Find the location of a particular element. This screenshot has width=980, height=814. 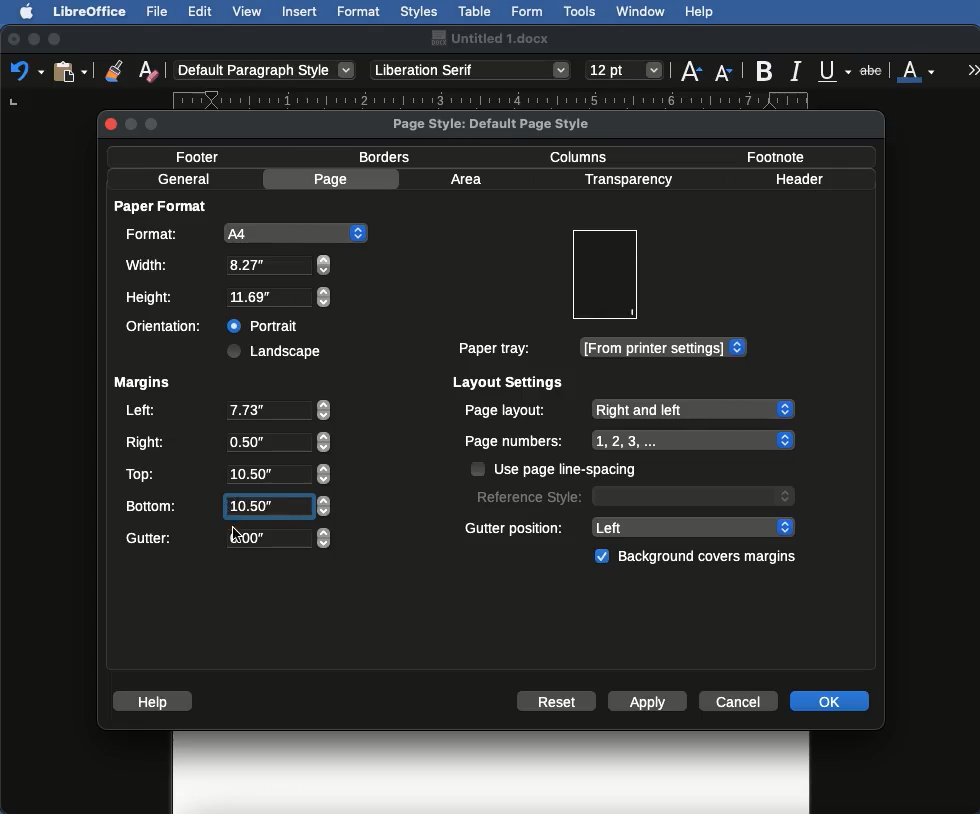

Size decrease is located at coordinates (728, 72).